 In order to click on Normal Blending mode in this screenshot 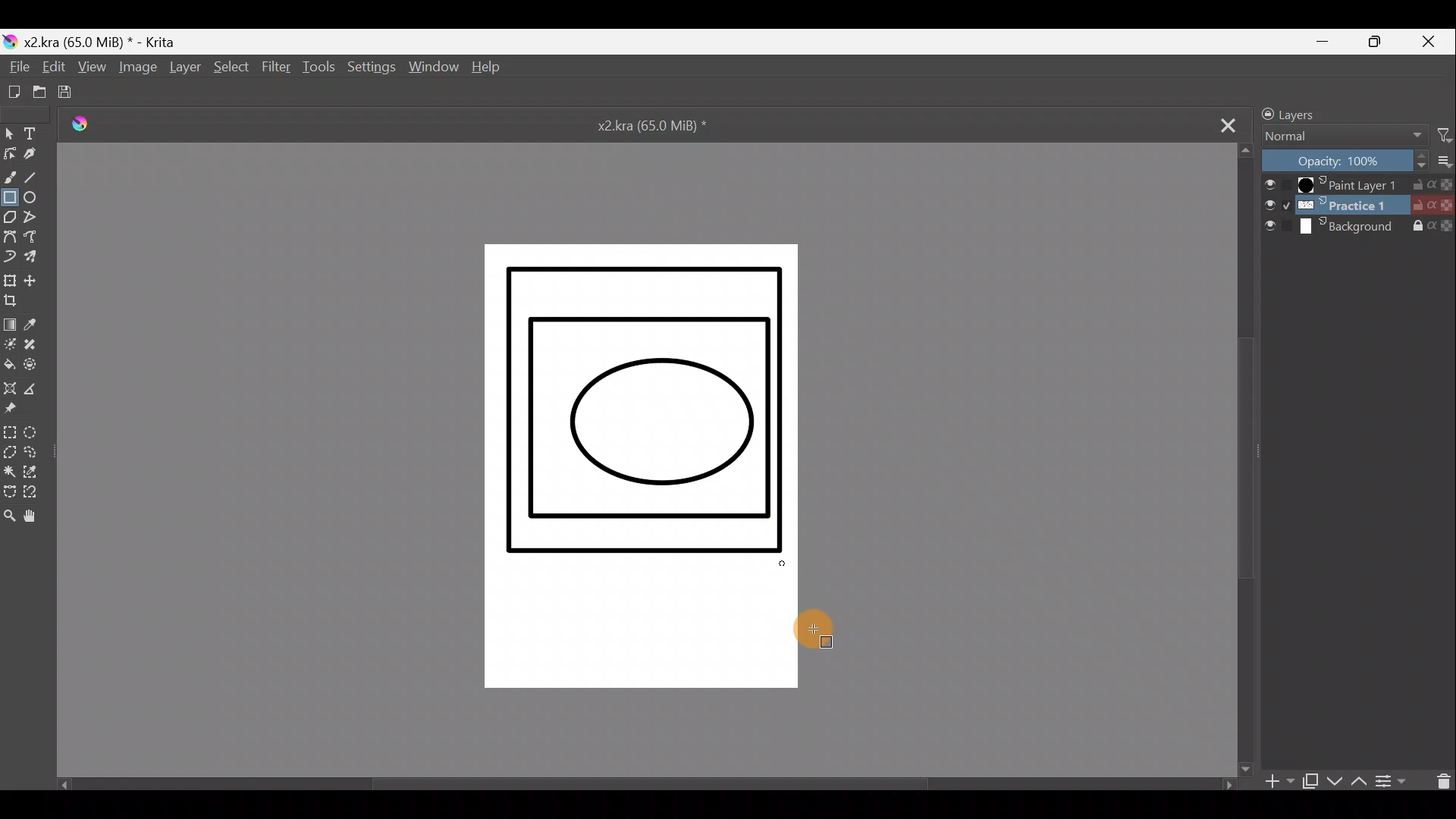, I will do `click(1341, 136)`.